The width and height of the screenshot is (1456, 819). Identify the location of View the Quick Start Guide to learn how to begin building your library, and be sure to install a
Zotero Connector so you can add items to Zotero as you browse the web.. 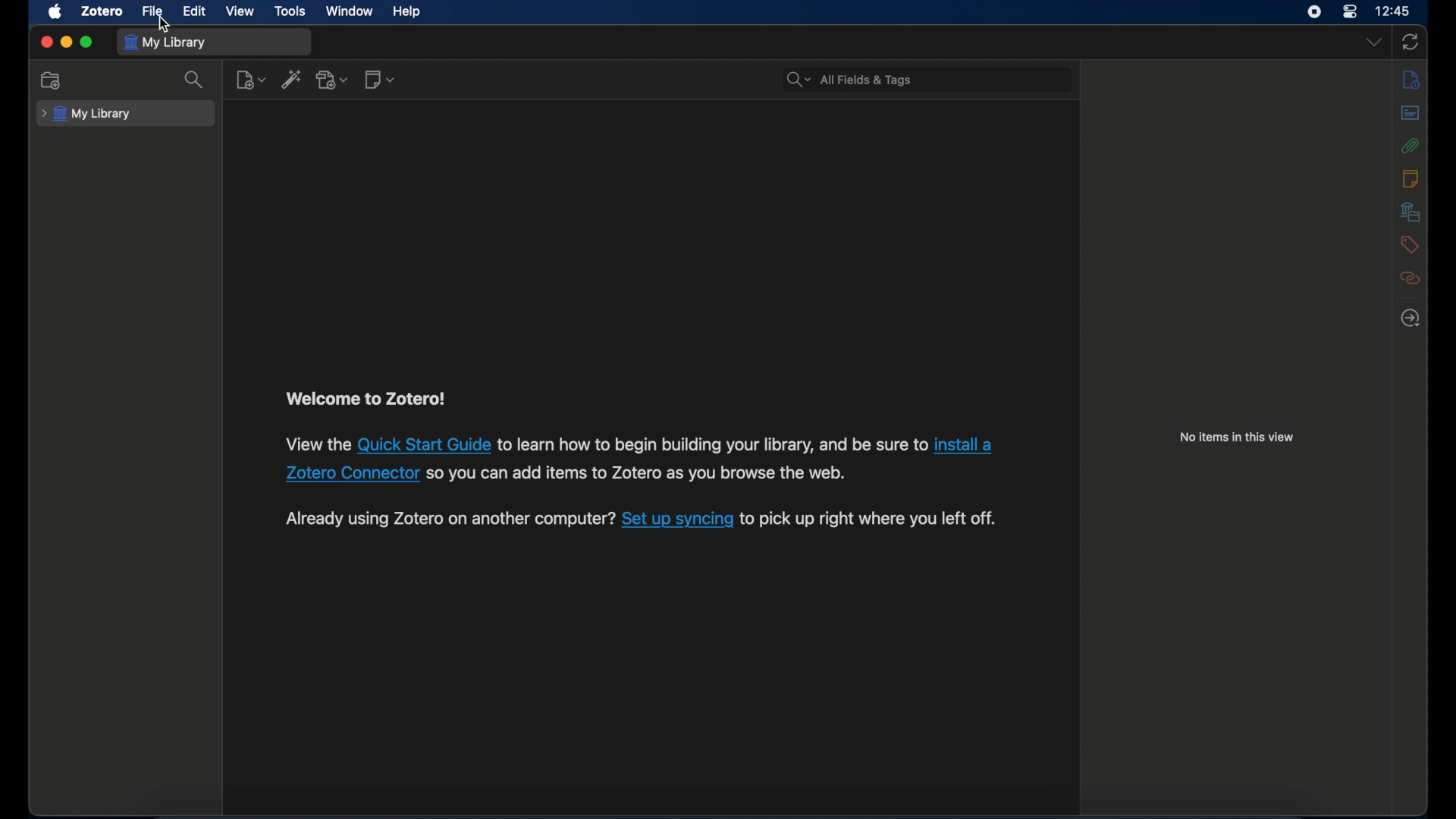
(645, 461).